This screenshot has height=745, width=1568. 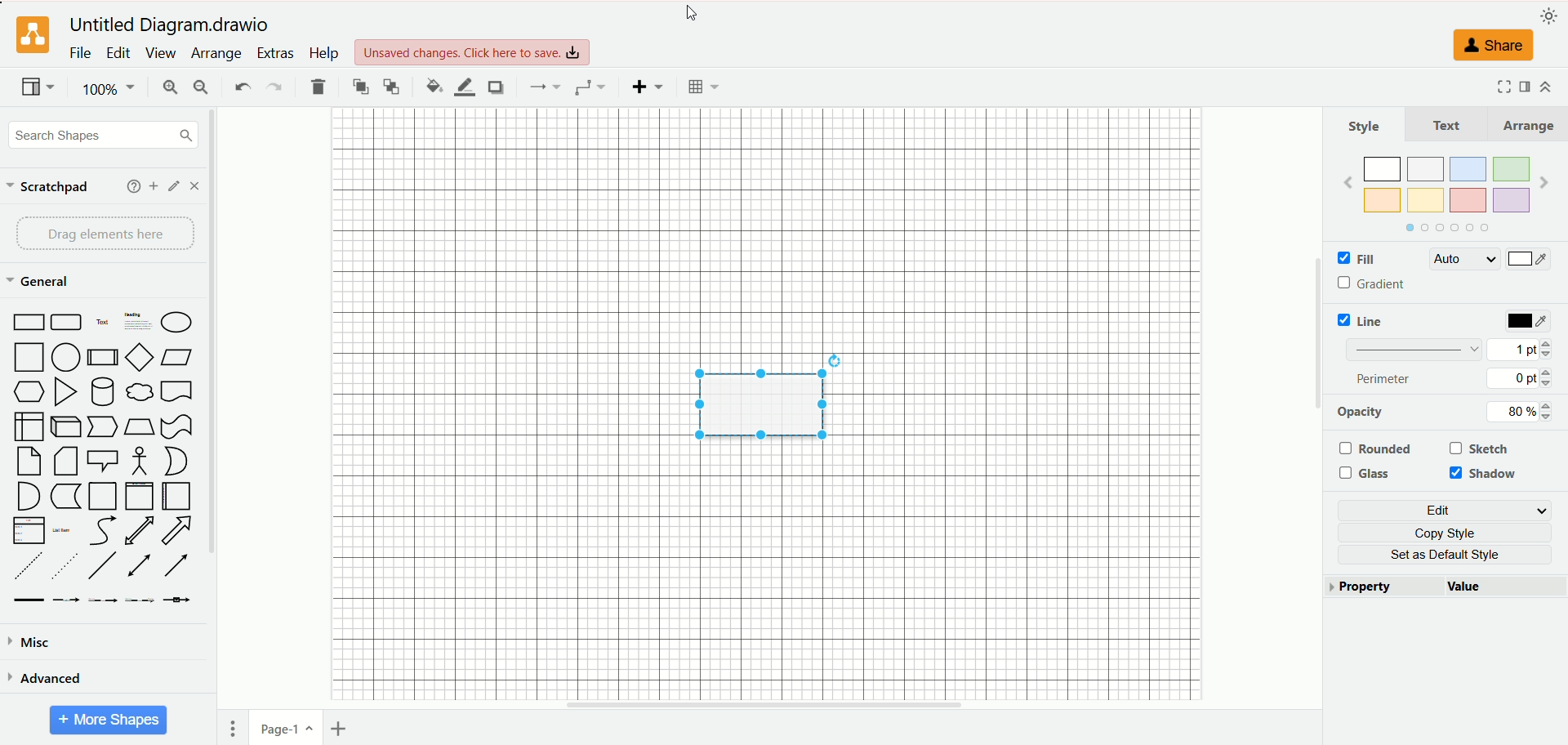 I want to click on fill color, so click(x=434, y=86).